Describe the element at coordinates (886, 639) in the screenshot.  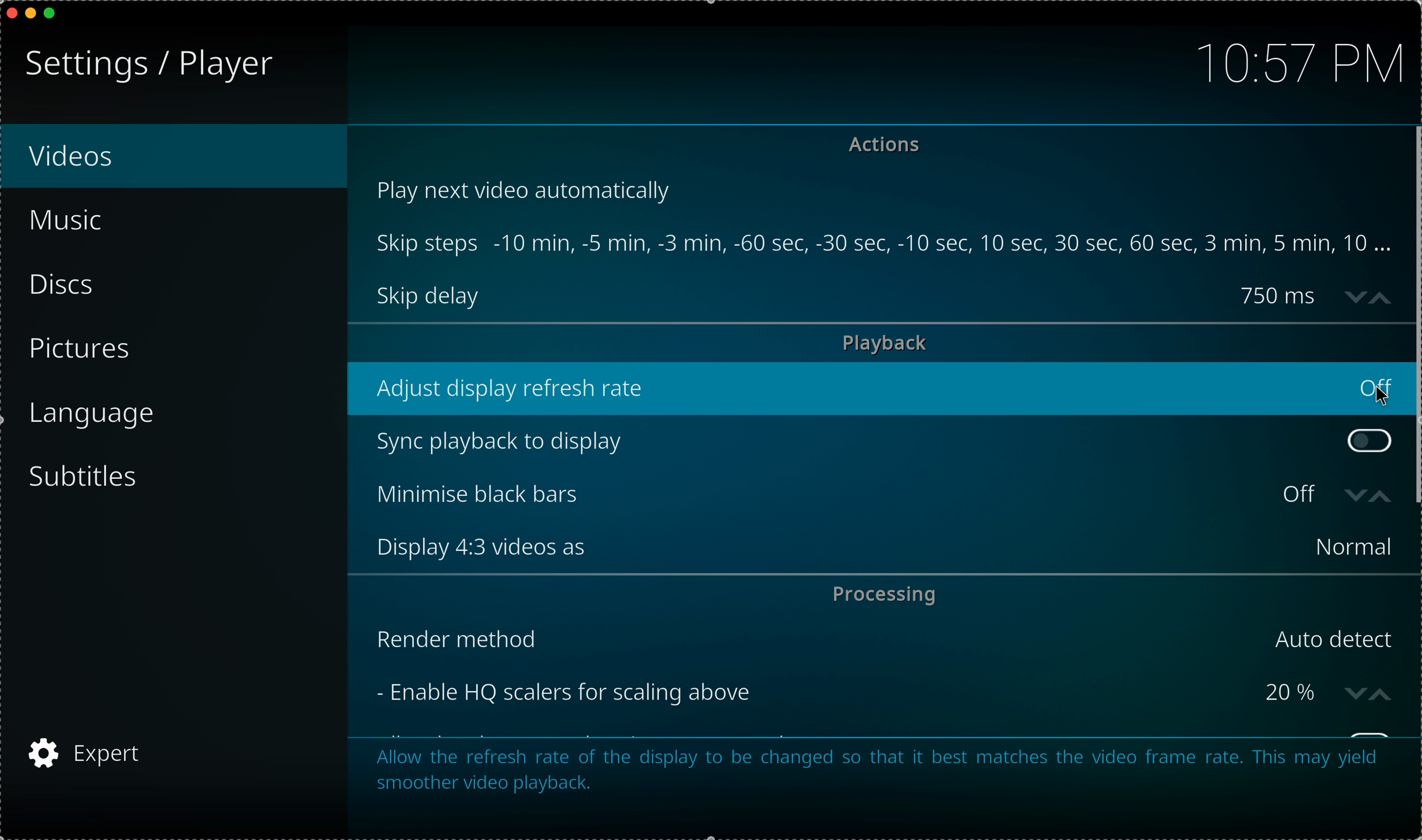
I see `render method  Auto detect` at that location.